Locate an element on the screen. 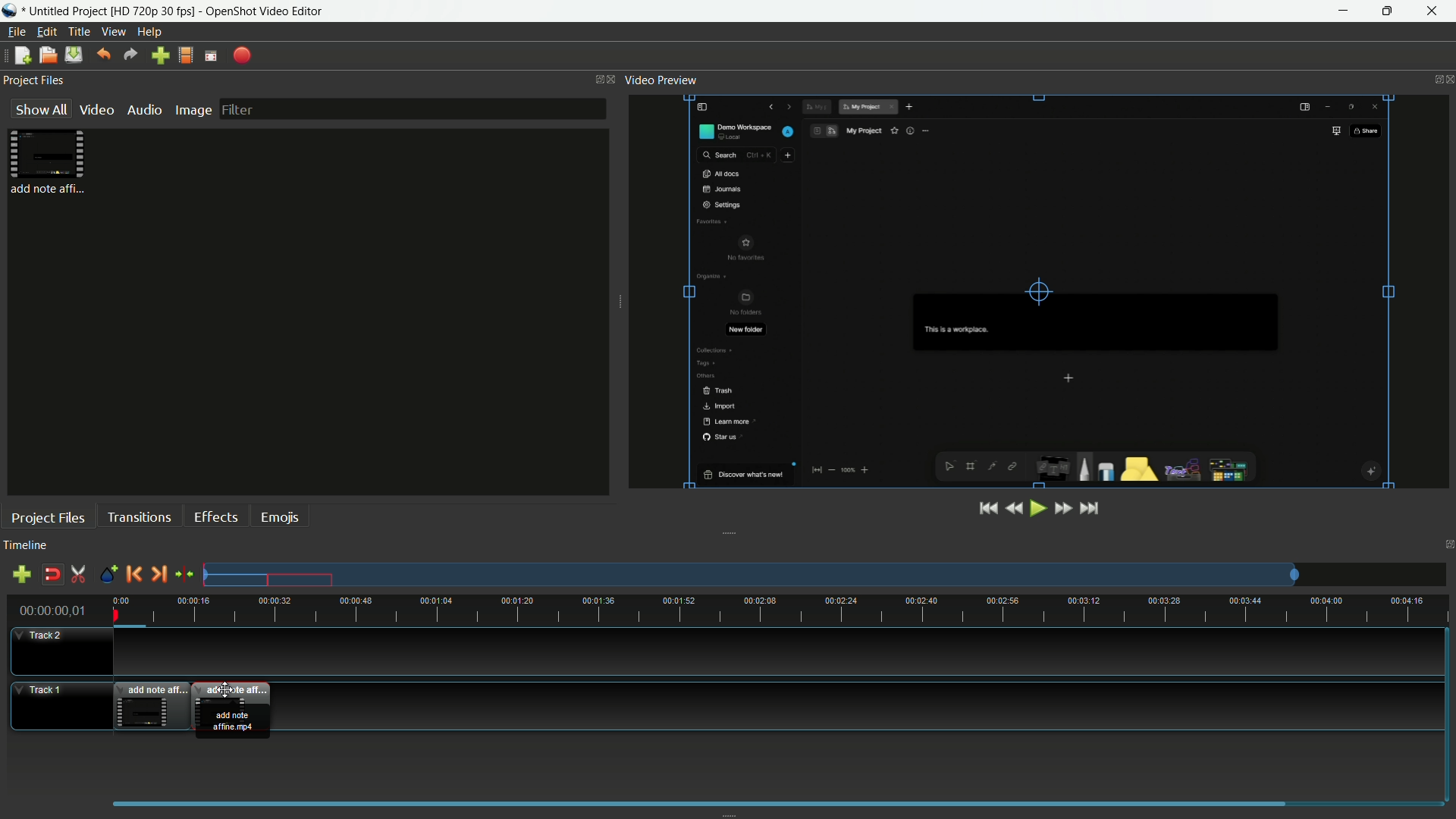 This screenshot has height=819, width=1456. effects is located at coordinates (215, 517).